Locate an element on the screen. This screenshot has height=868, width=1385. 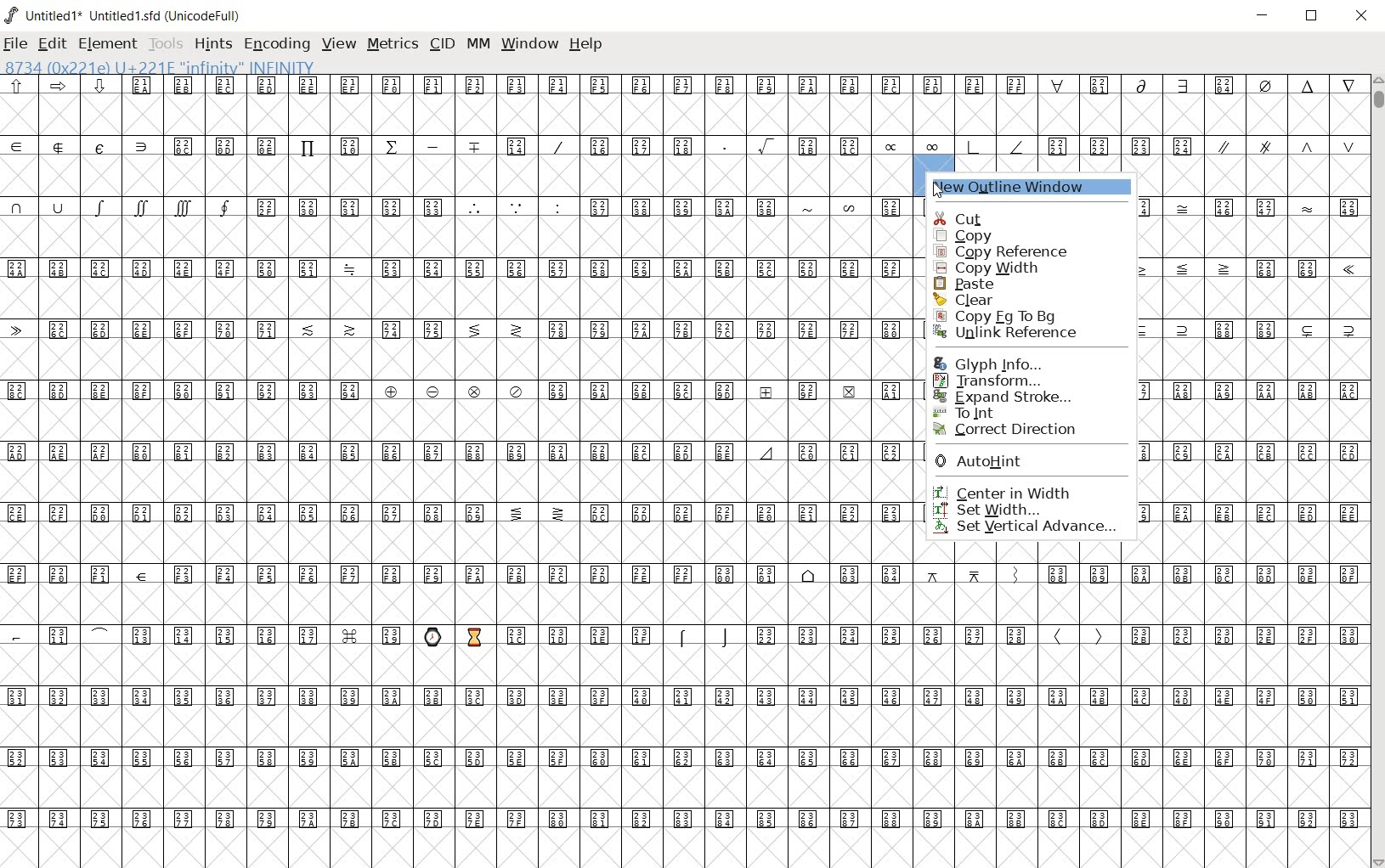
Unicode code points is located at coordinates (1252, 452).